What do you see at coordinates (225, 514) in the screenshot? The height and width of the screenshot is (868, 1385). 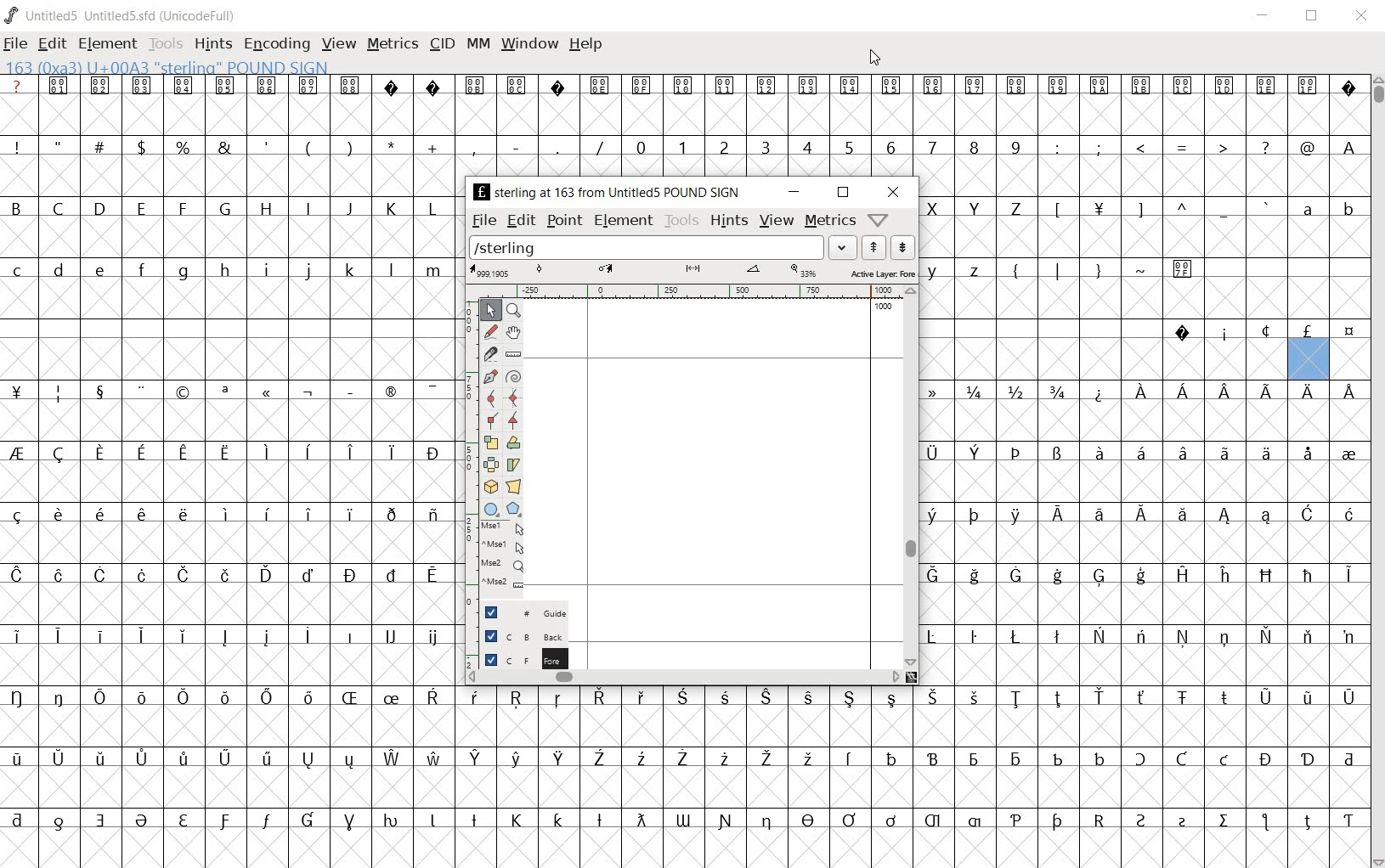 I see `Symbol` at bounding box center [225, 514].